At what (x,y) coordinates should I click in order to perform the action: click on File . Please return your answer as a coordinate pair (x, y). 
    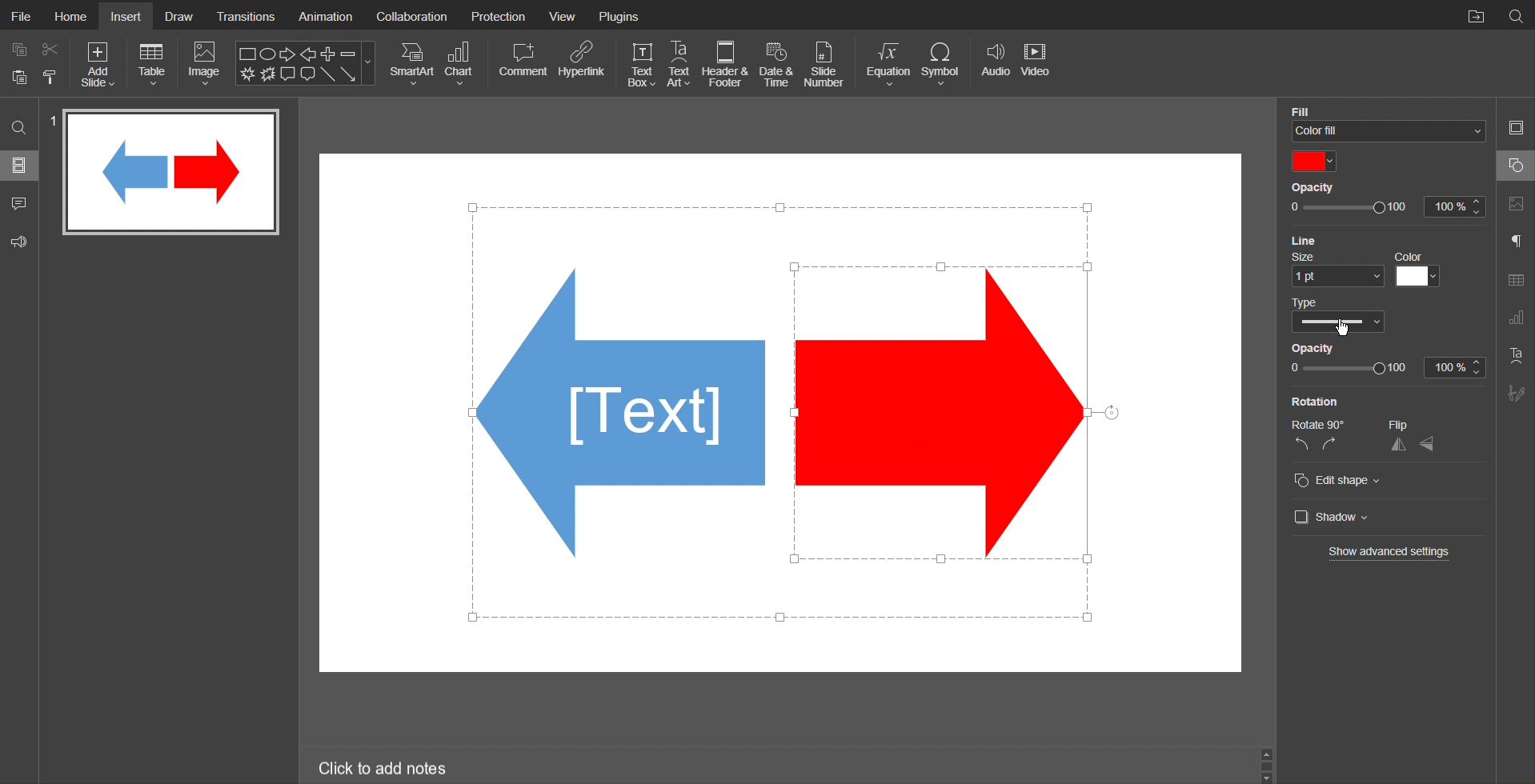
    Looking at the image, I should click on (19, 14).